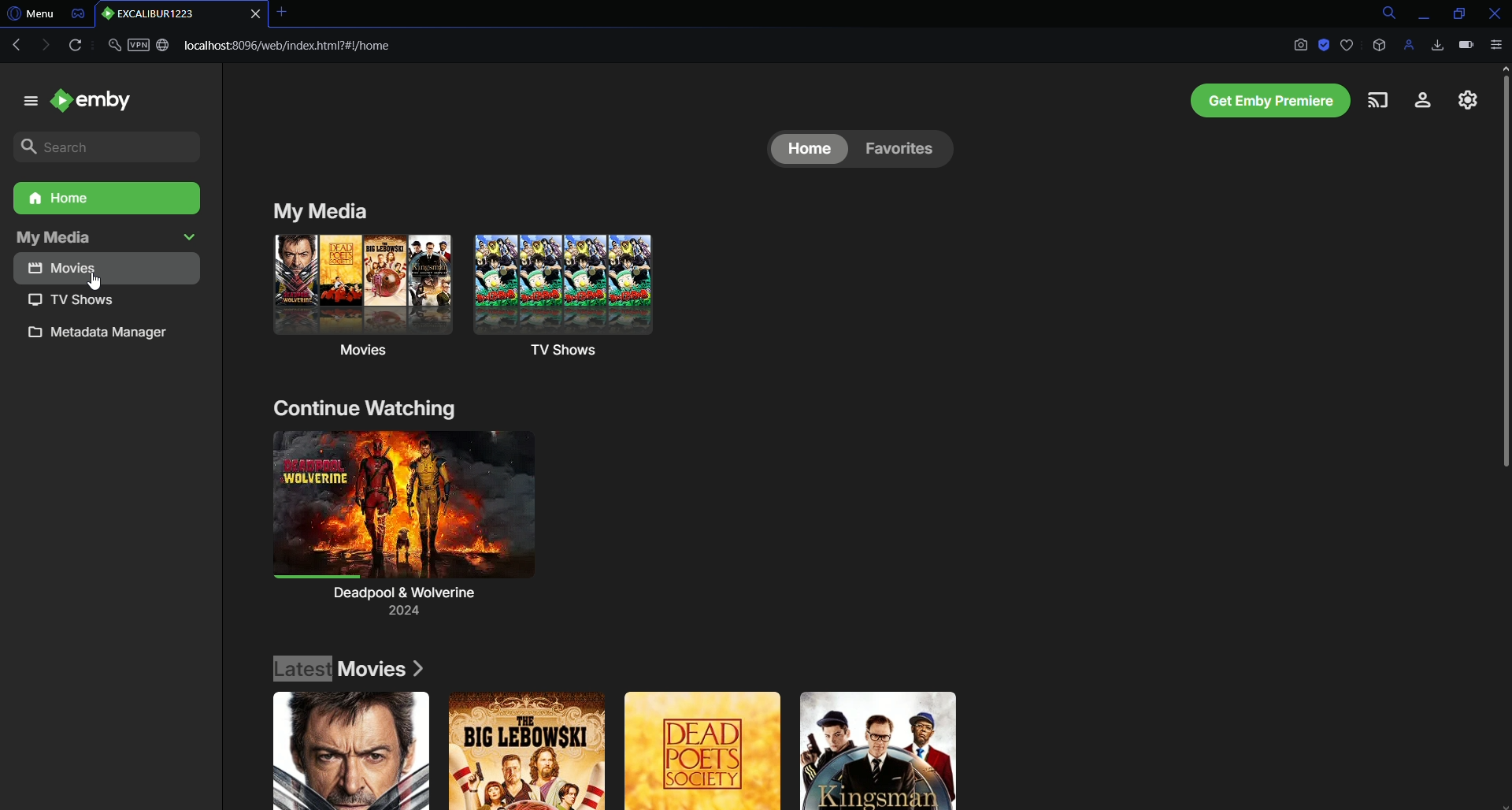 The height and width of the screenshot is (810, 1512). Describe the element at coordinates (808, 150) in the screenshot. I see `Home` at that location.